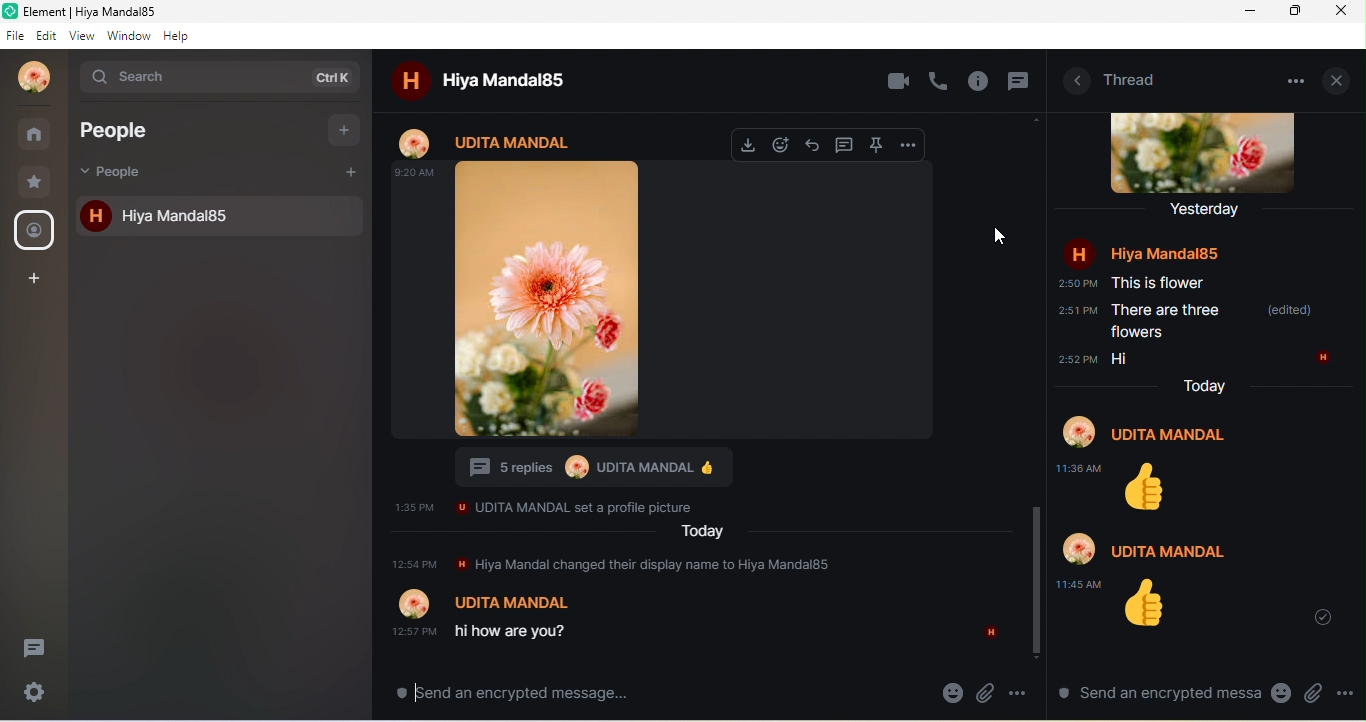 The width and height of the screenshot is (1366, 722). What do you see at coordinates (647, 565) in the screenshot?
I see `Hiya Mandal changed their display name to Hiya Mandal85` at bounding box center [647, 565].